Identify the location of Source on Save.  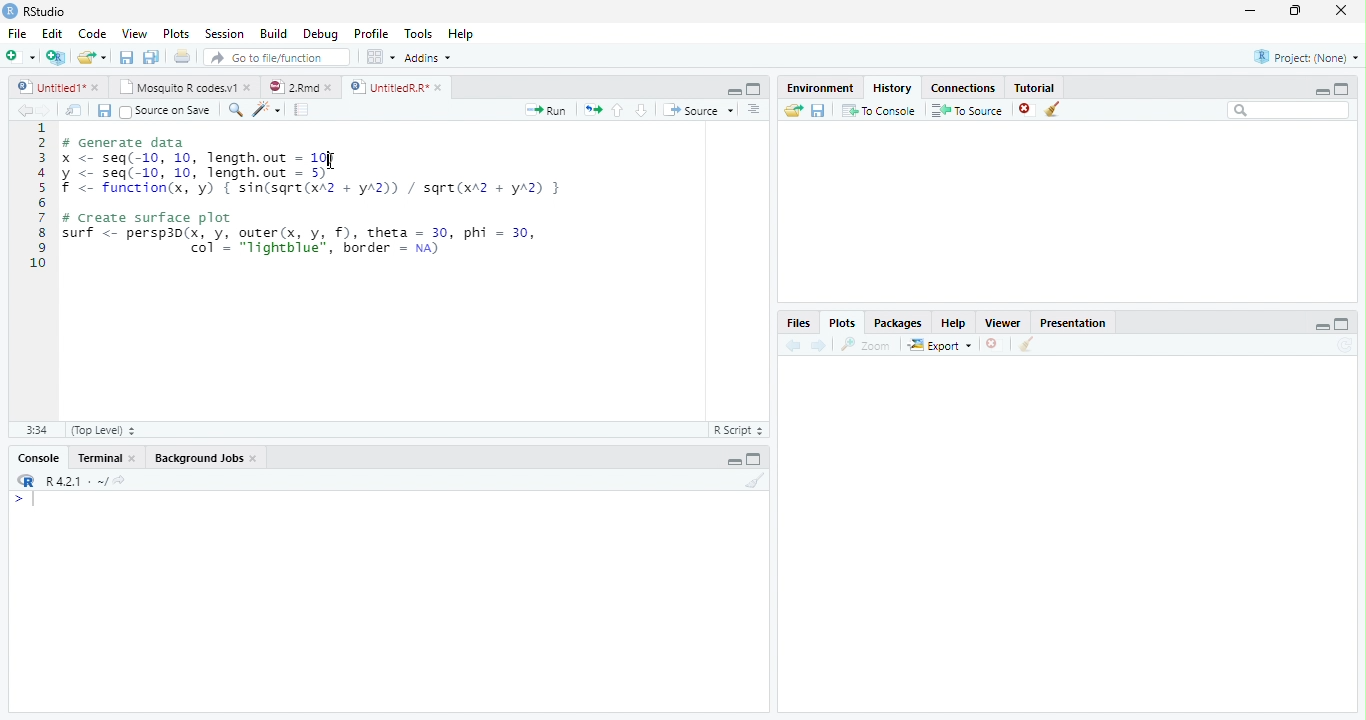
(167, 110).